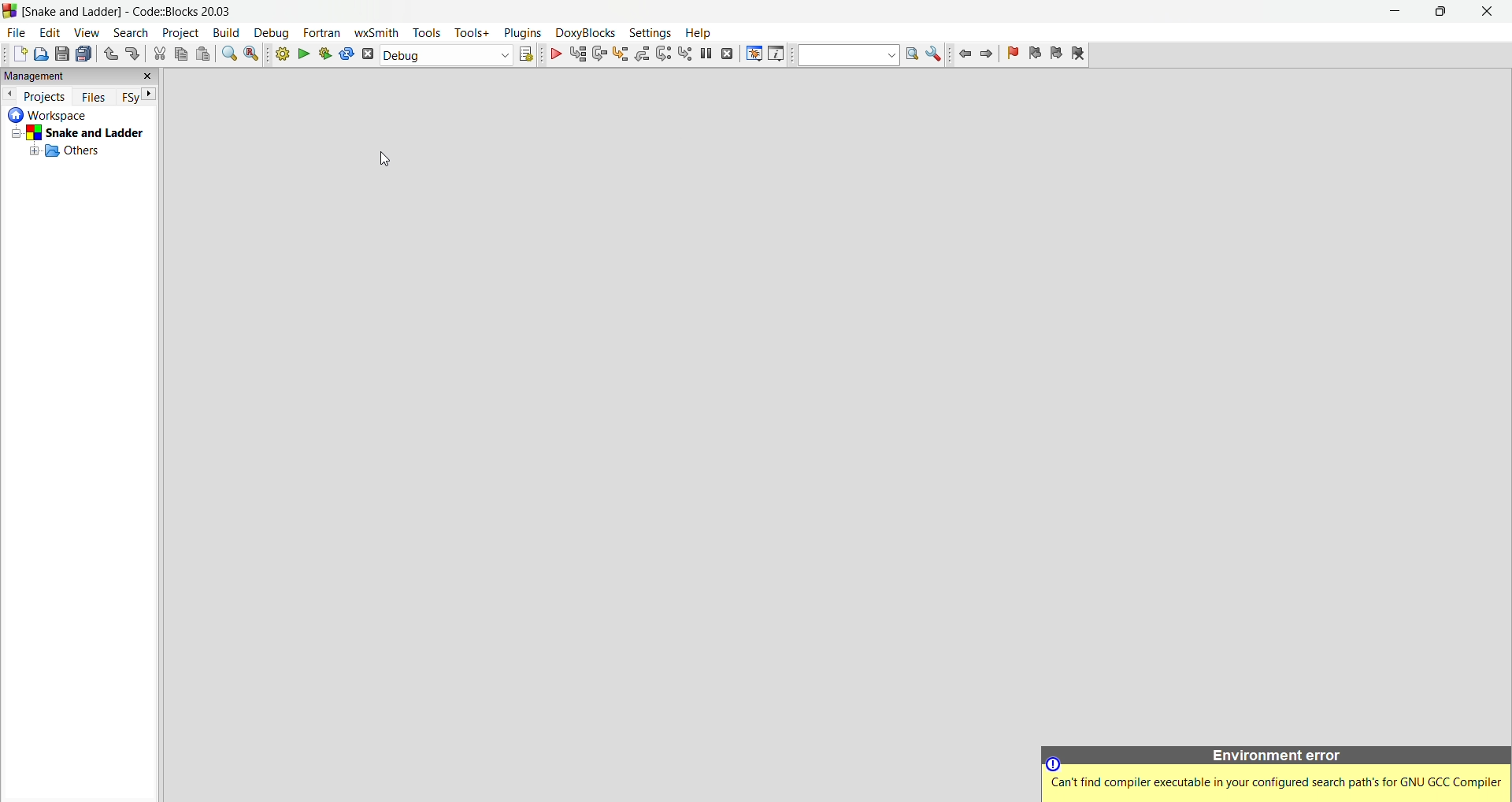  Describe the element at coordinates (83, 54) in the screenshot. I see `save everything` at that location.